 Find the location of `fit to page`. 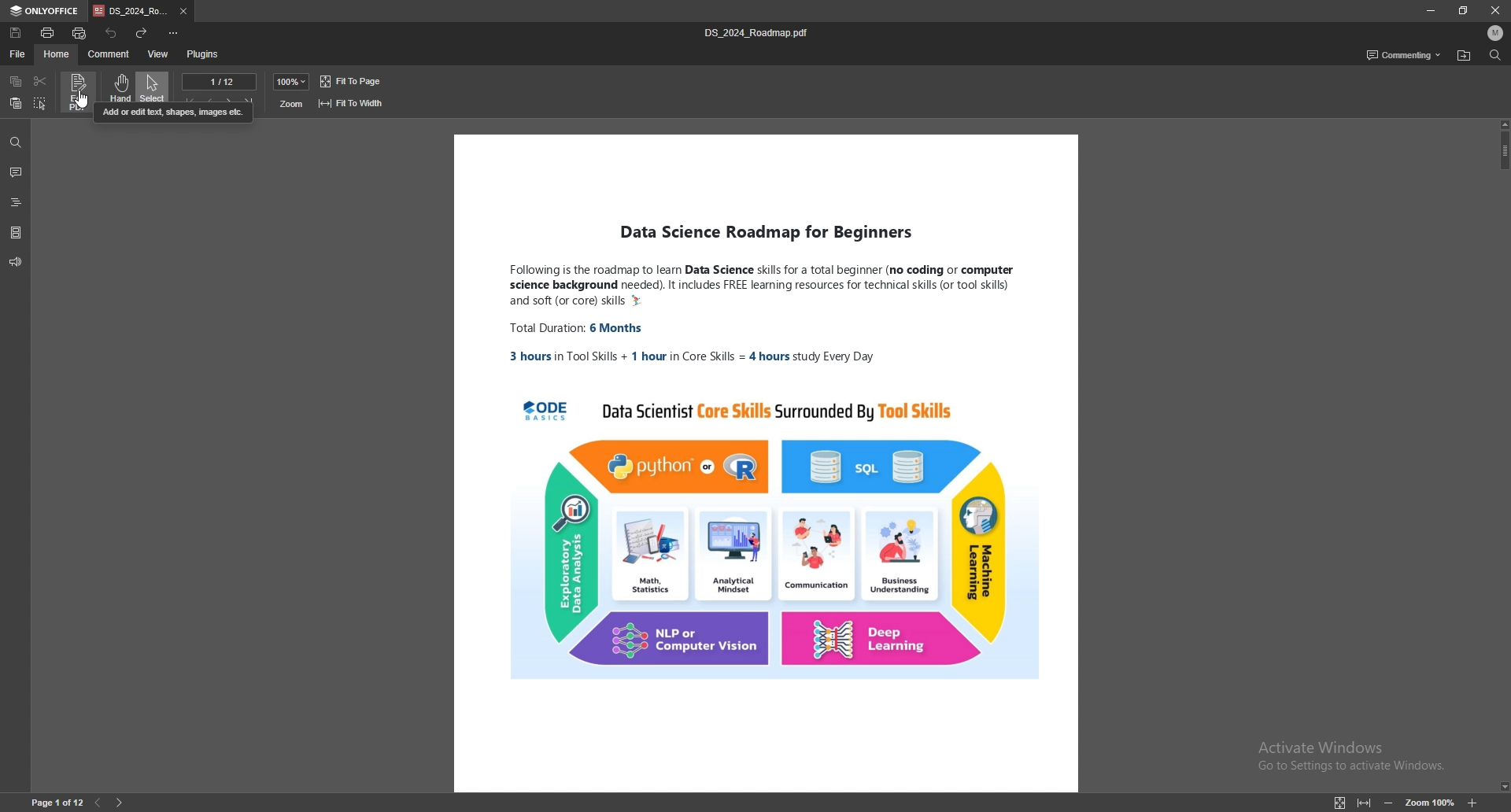

fit to page is located at coordinates (1340, 803).